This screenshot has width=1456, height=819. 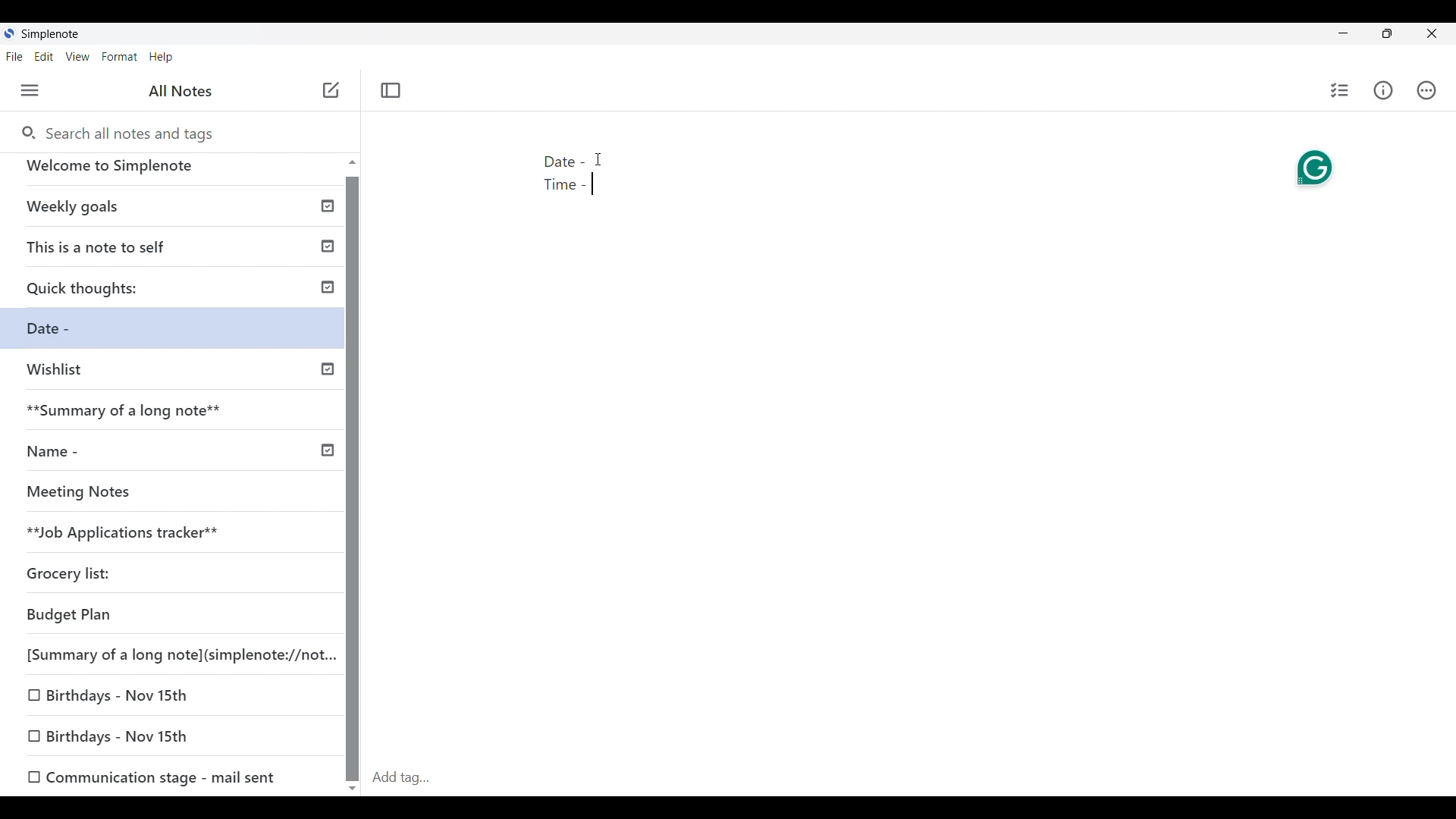 What do you see at coordinates (178, 416) in the screenshot?
I see `Published note, indicated by check icon` at bounding box center [178, 416].